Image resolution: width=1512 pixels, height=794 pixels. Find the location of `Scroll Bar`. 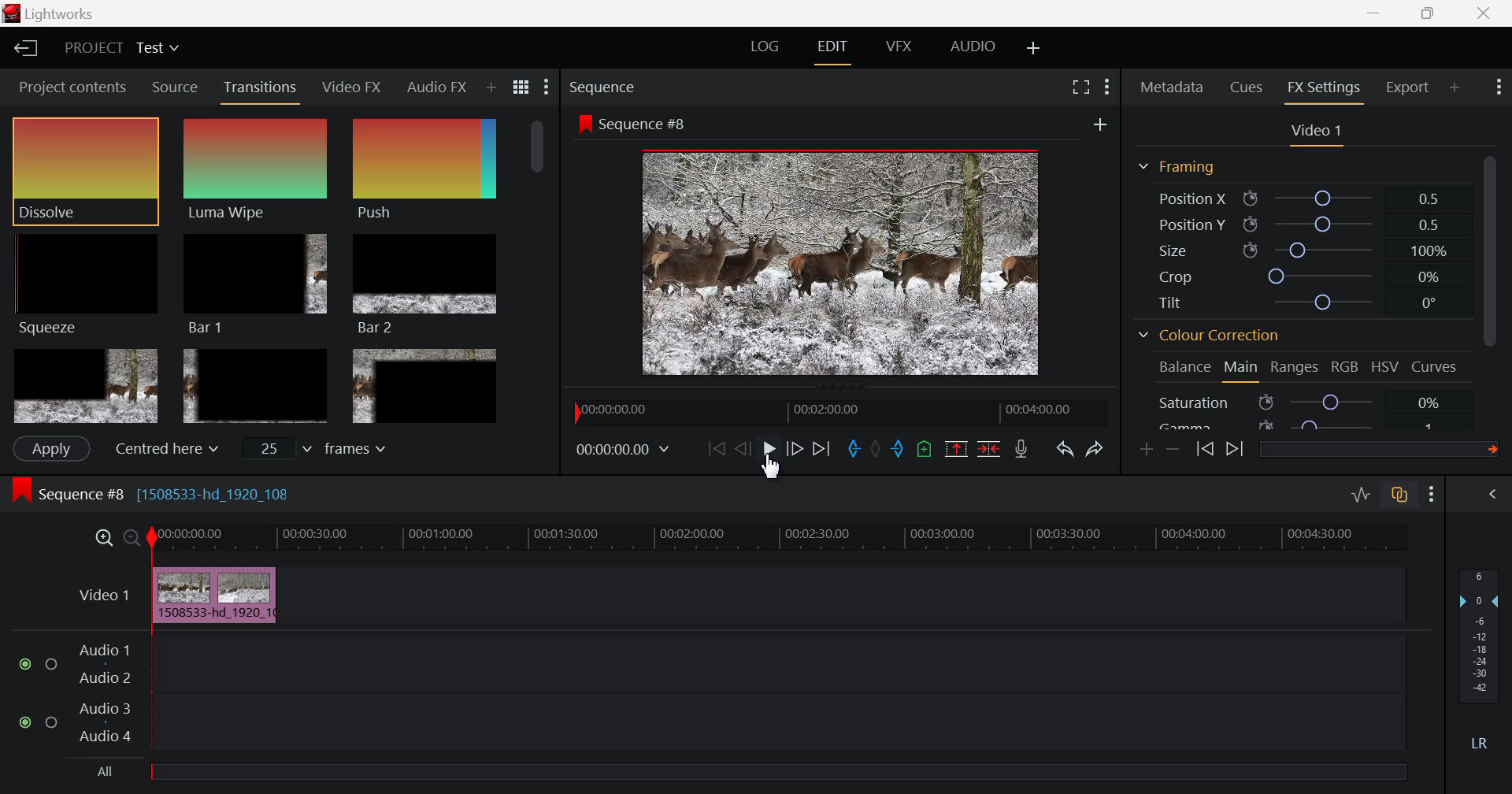

Scroll Bar is located at coordinates (1496, 284).